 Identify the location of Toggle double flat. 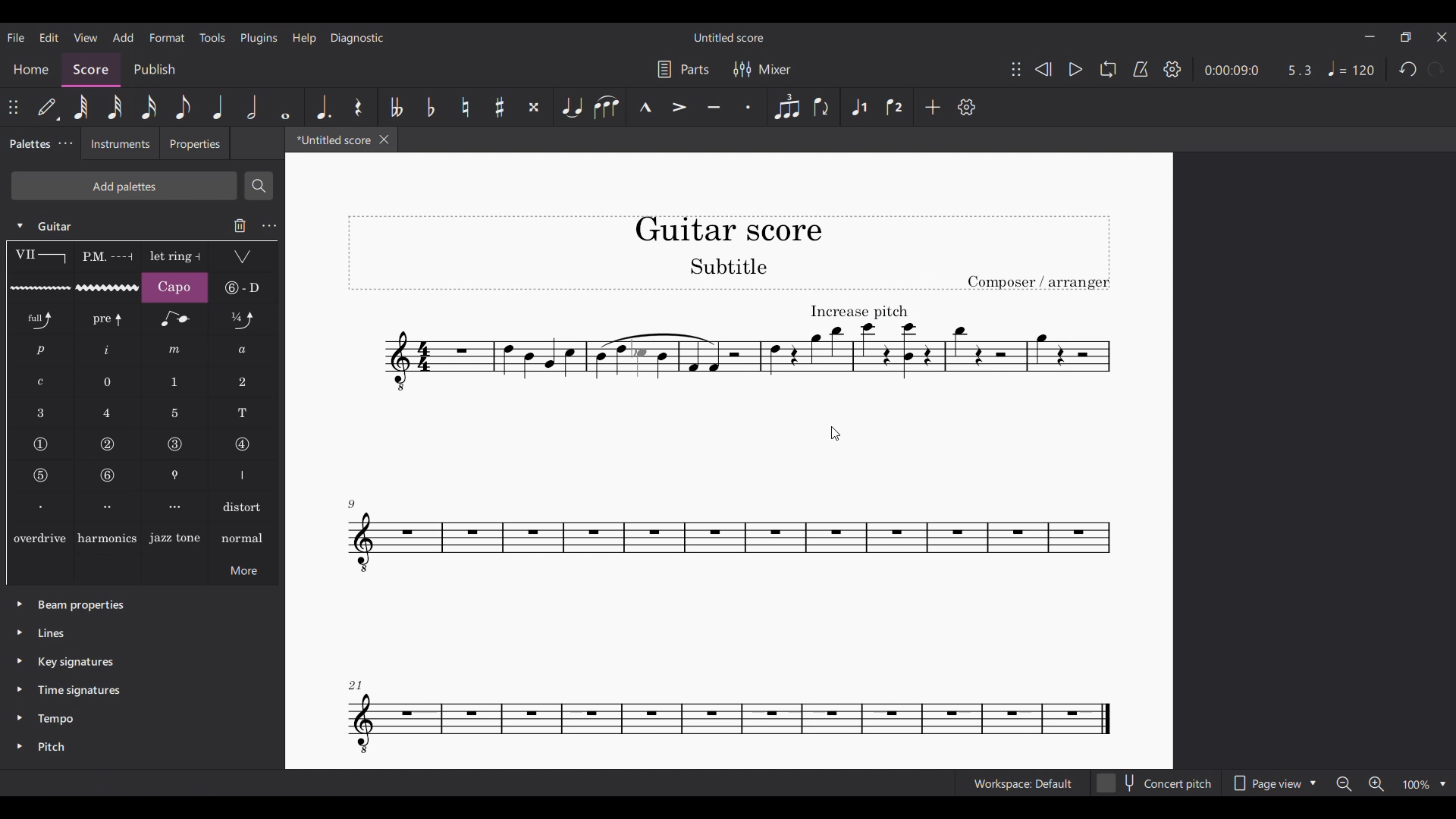
(396, 107).